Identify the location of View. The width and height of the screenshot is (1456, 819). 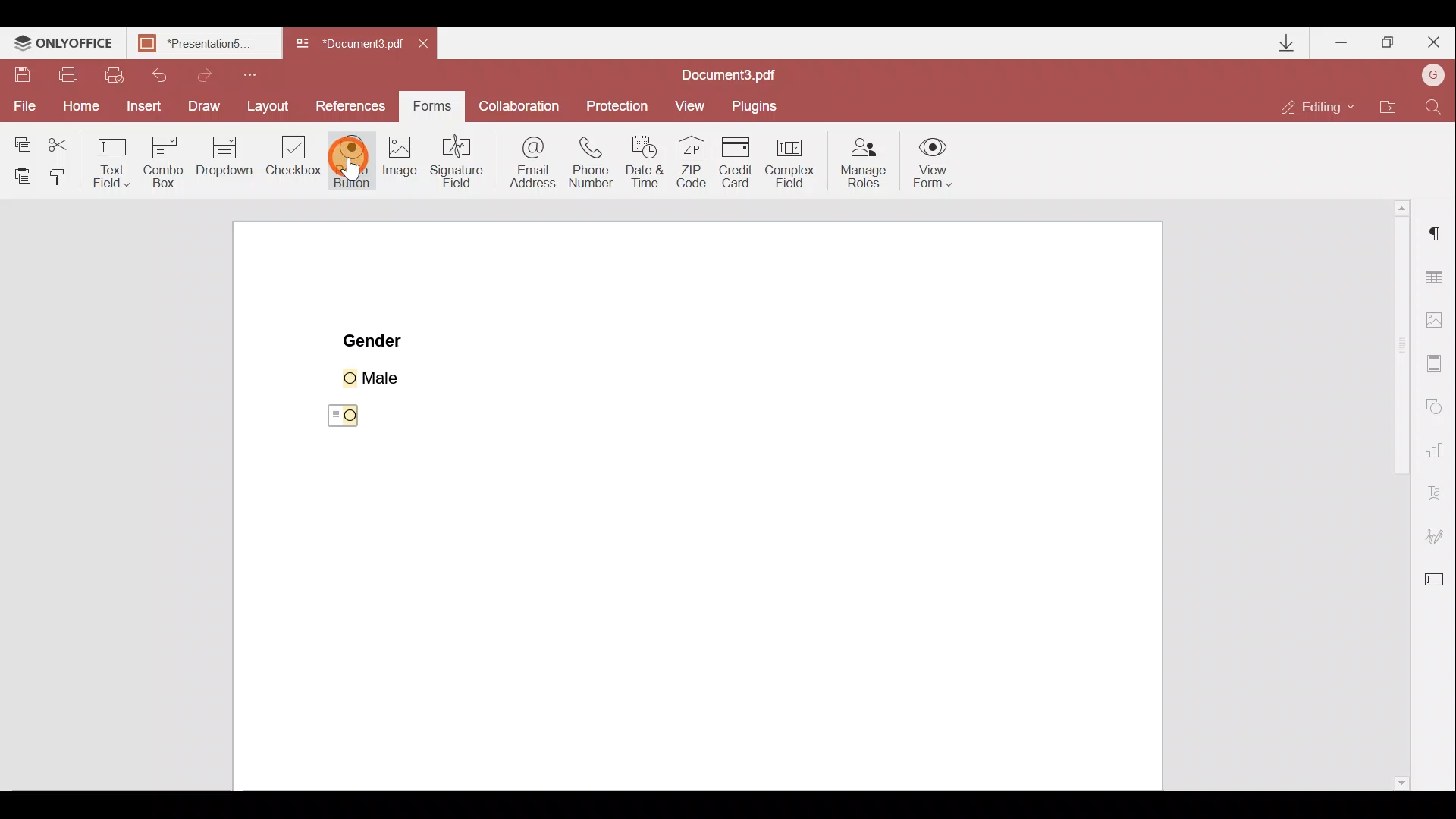
(697, 104).